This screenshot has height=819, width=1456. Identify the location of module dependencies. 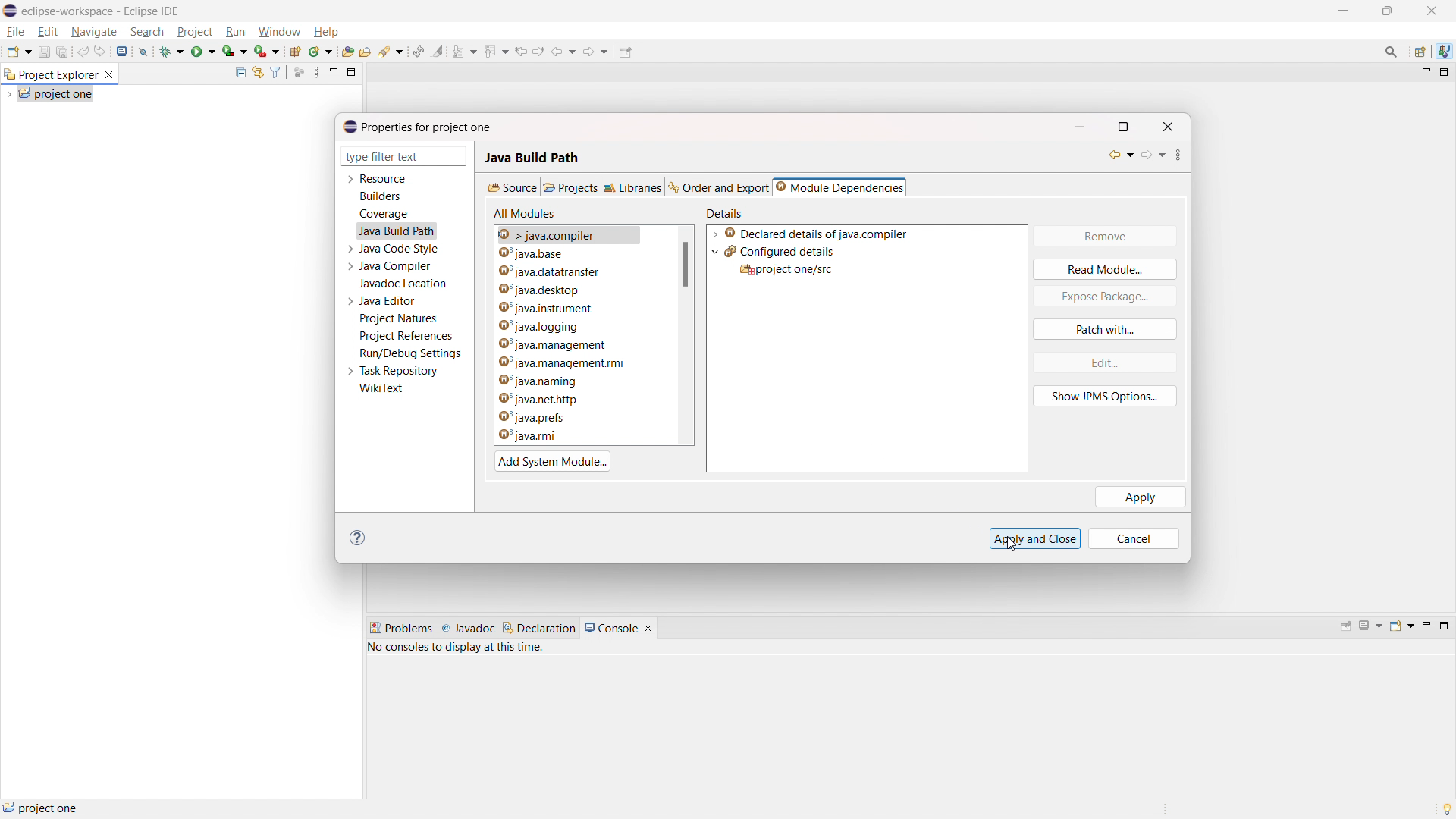
(839, 187).